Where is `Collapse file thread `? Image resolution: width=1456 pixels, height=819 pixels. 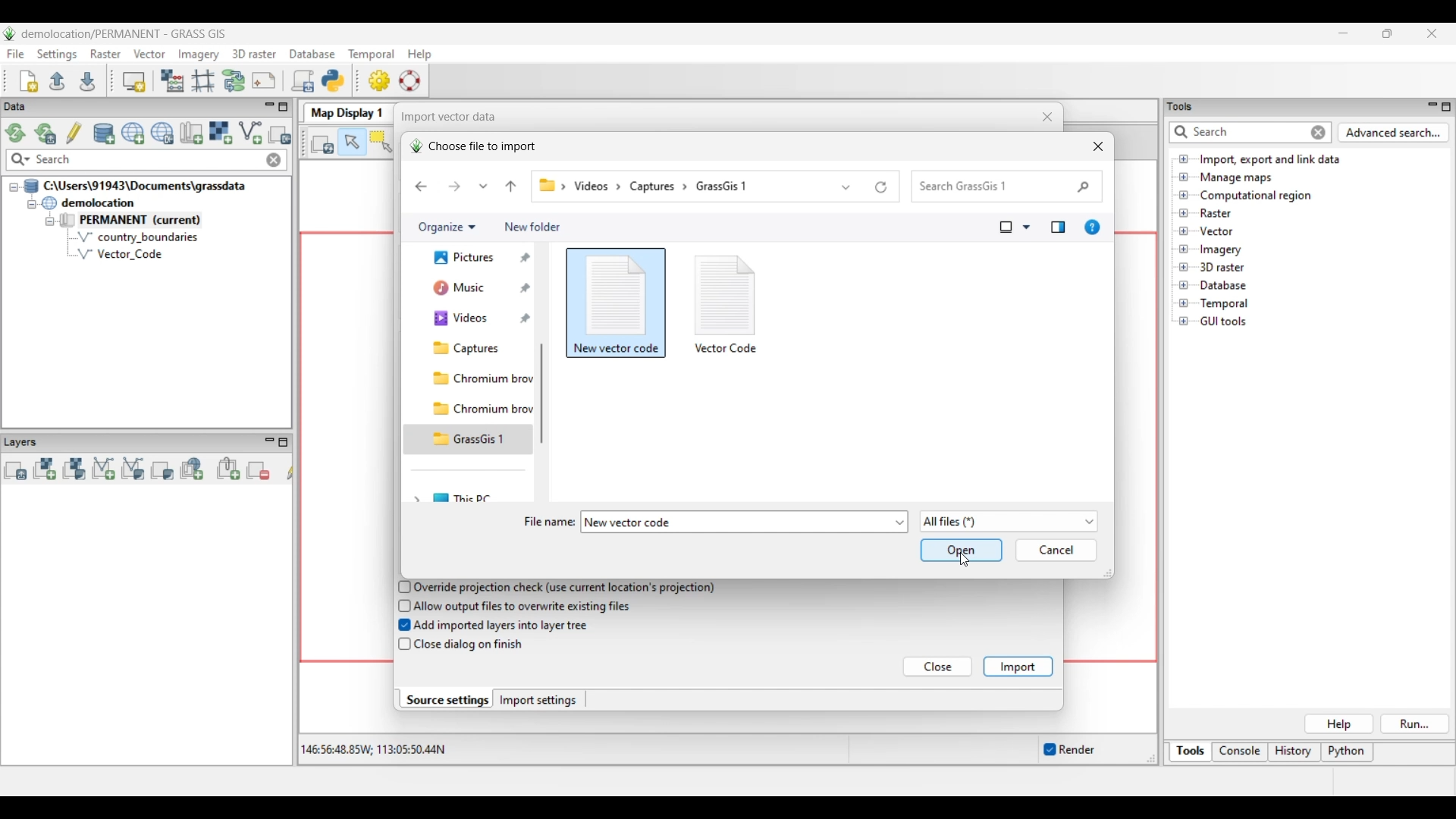
Collapse file thread  is located at coordinates (14, 187).